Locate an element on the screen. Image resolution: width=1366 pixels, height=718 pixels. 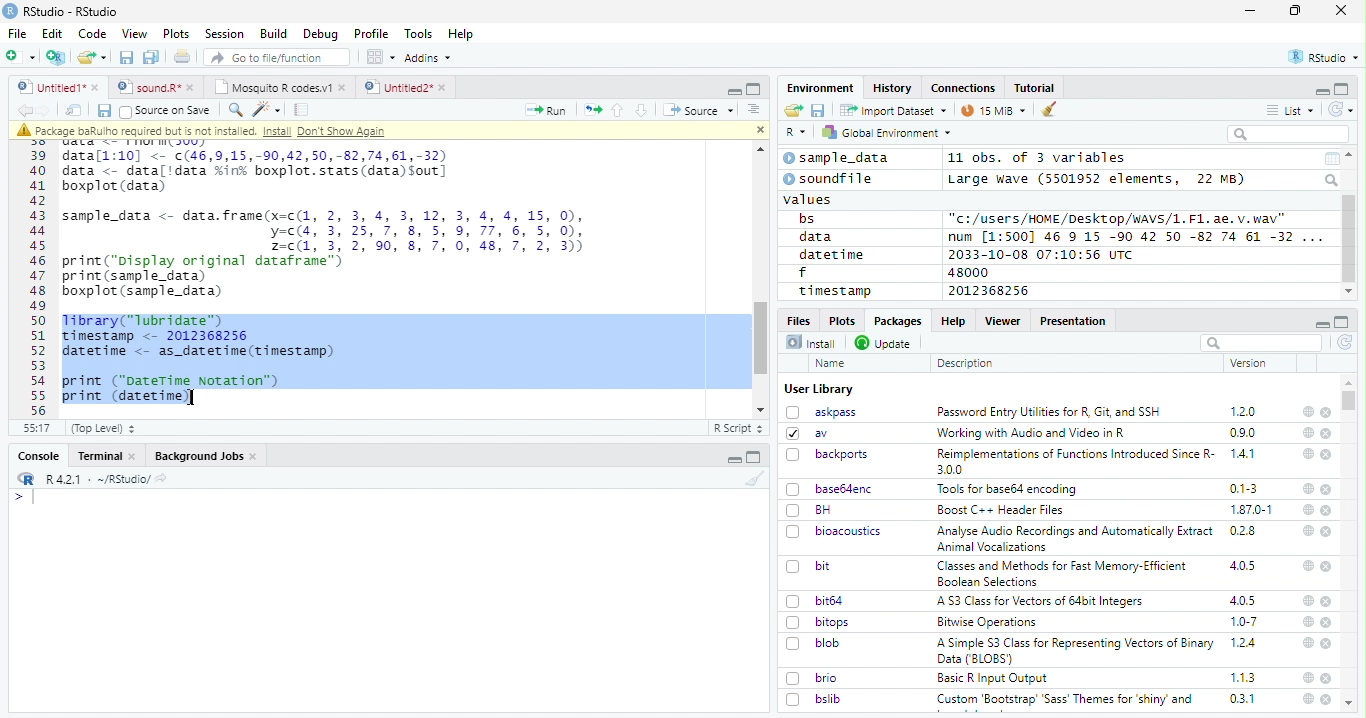
Update is located at coordinates (885, 343).